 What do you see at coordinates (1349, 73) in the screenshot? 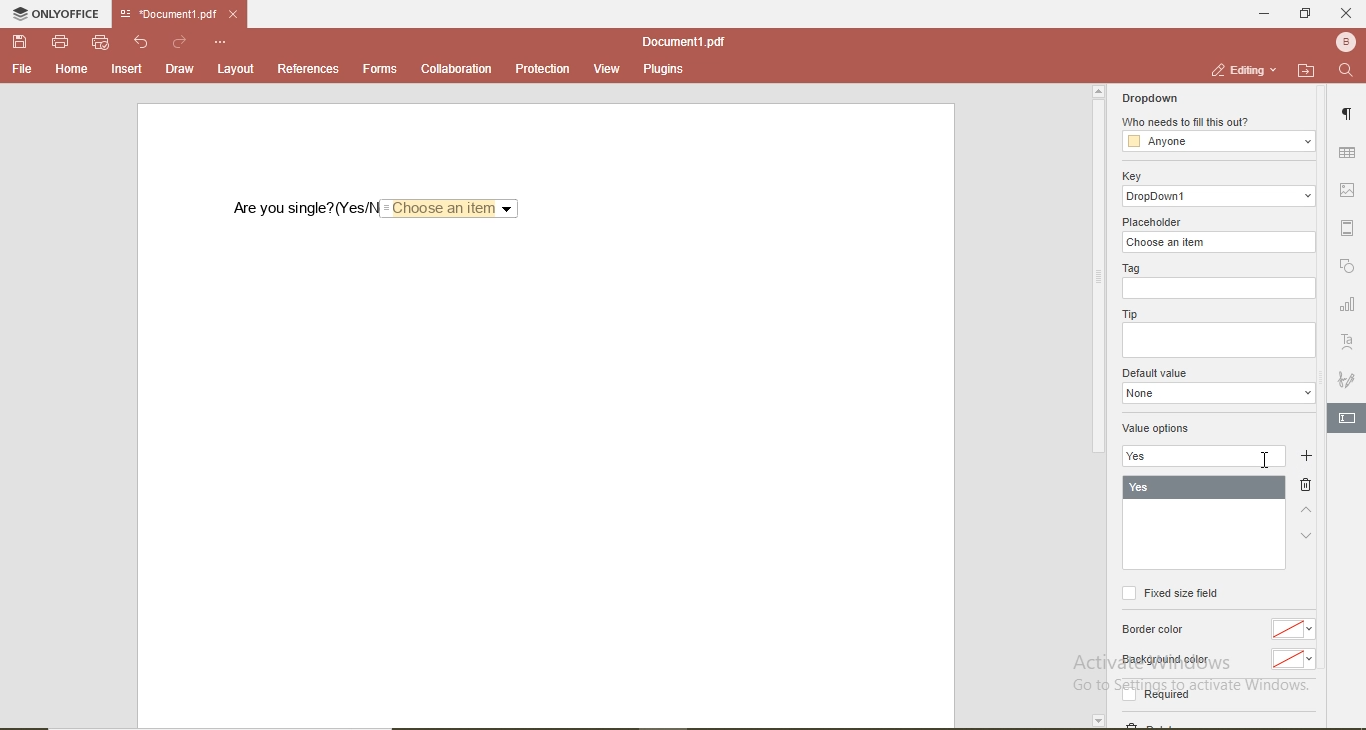
I see `search` at bounding box center [1349, 73].